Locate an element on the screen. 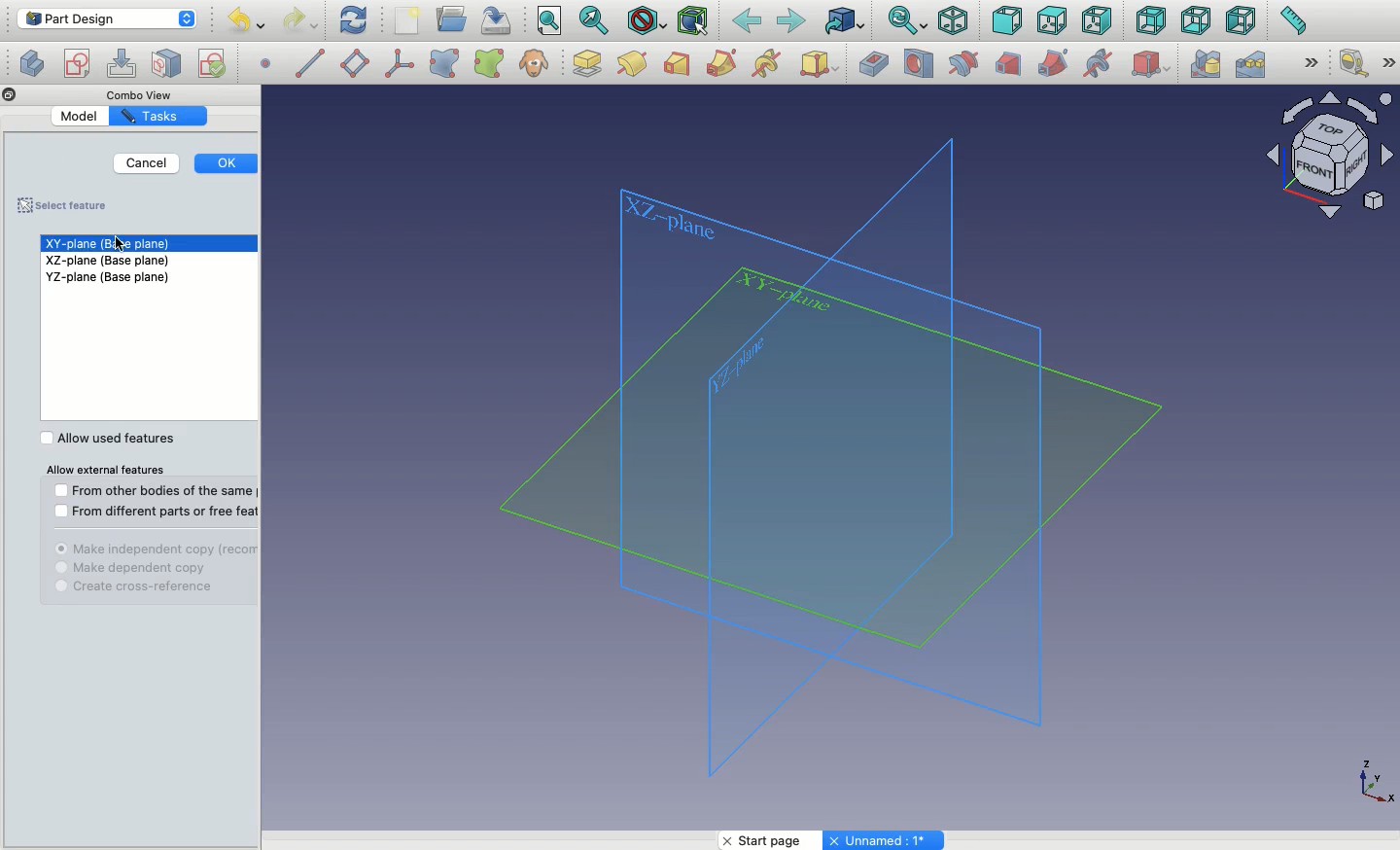 This screenshot has width=1400, height=850. Left is located at coordinates (1240, 21).